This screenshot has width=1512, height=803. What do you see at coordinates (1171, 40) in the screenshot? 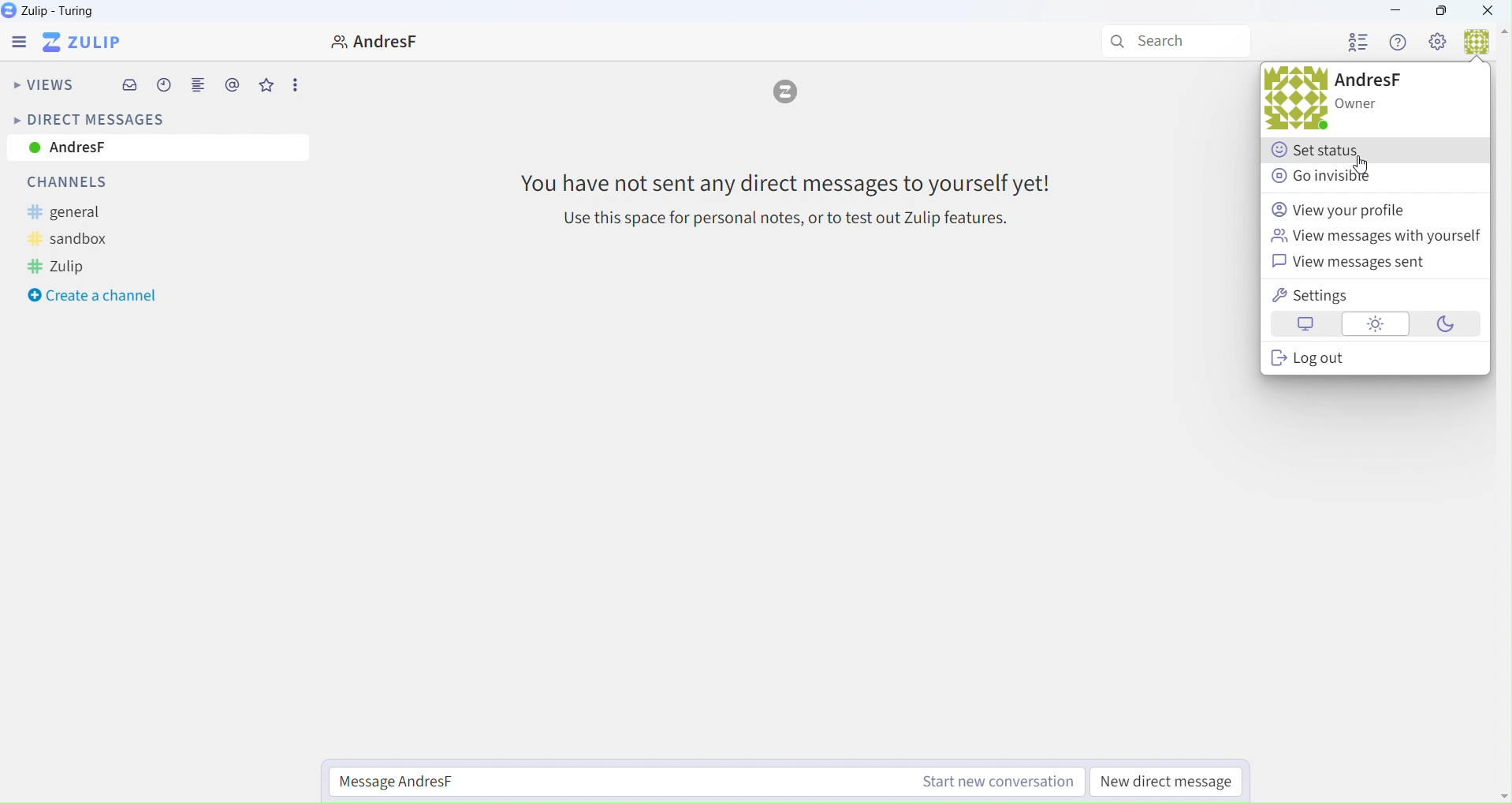
I see `Search` at bounding box center [1171, 40].